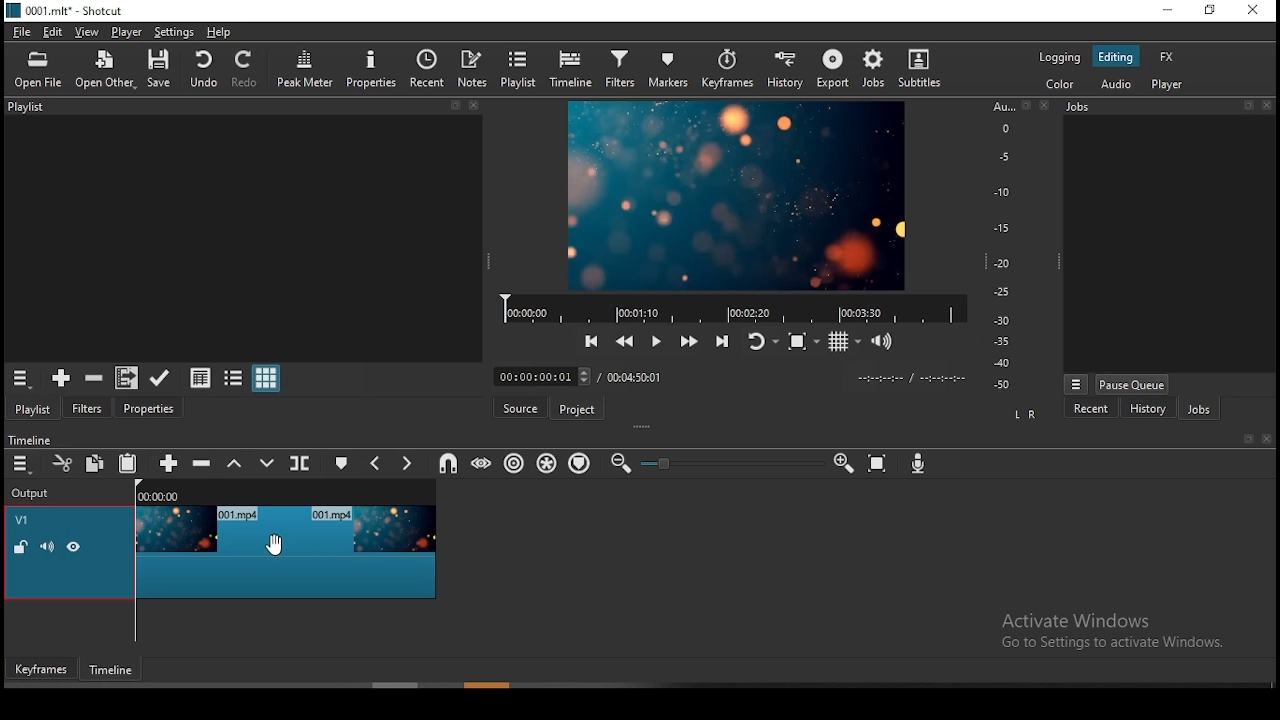  I want to click on paste, so click(127, 464).